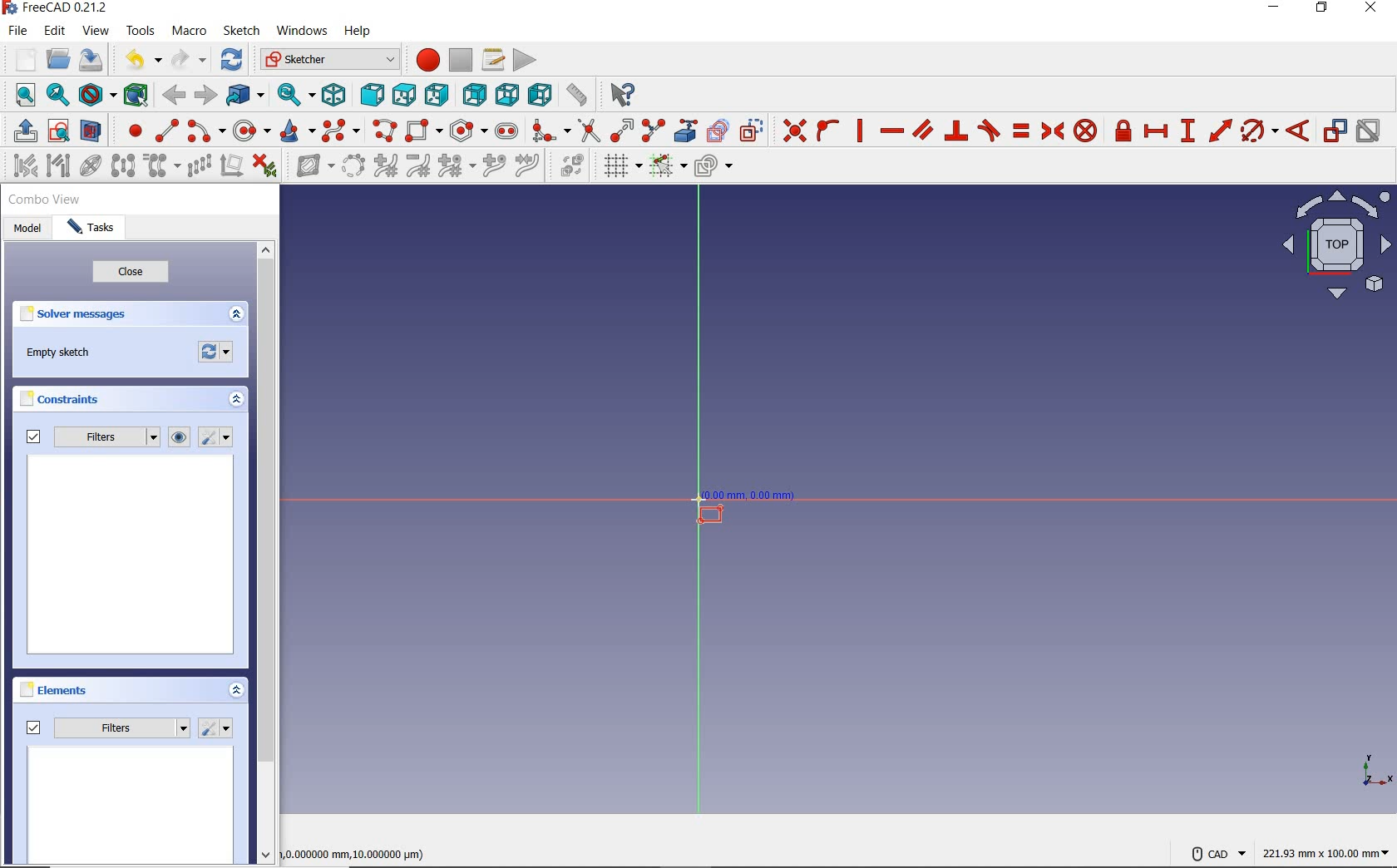 This screenshot has height=868, width=1397. Describe the element at coordinates (438, 95) in the screenshot. I see `right` at that location.